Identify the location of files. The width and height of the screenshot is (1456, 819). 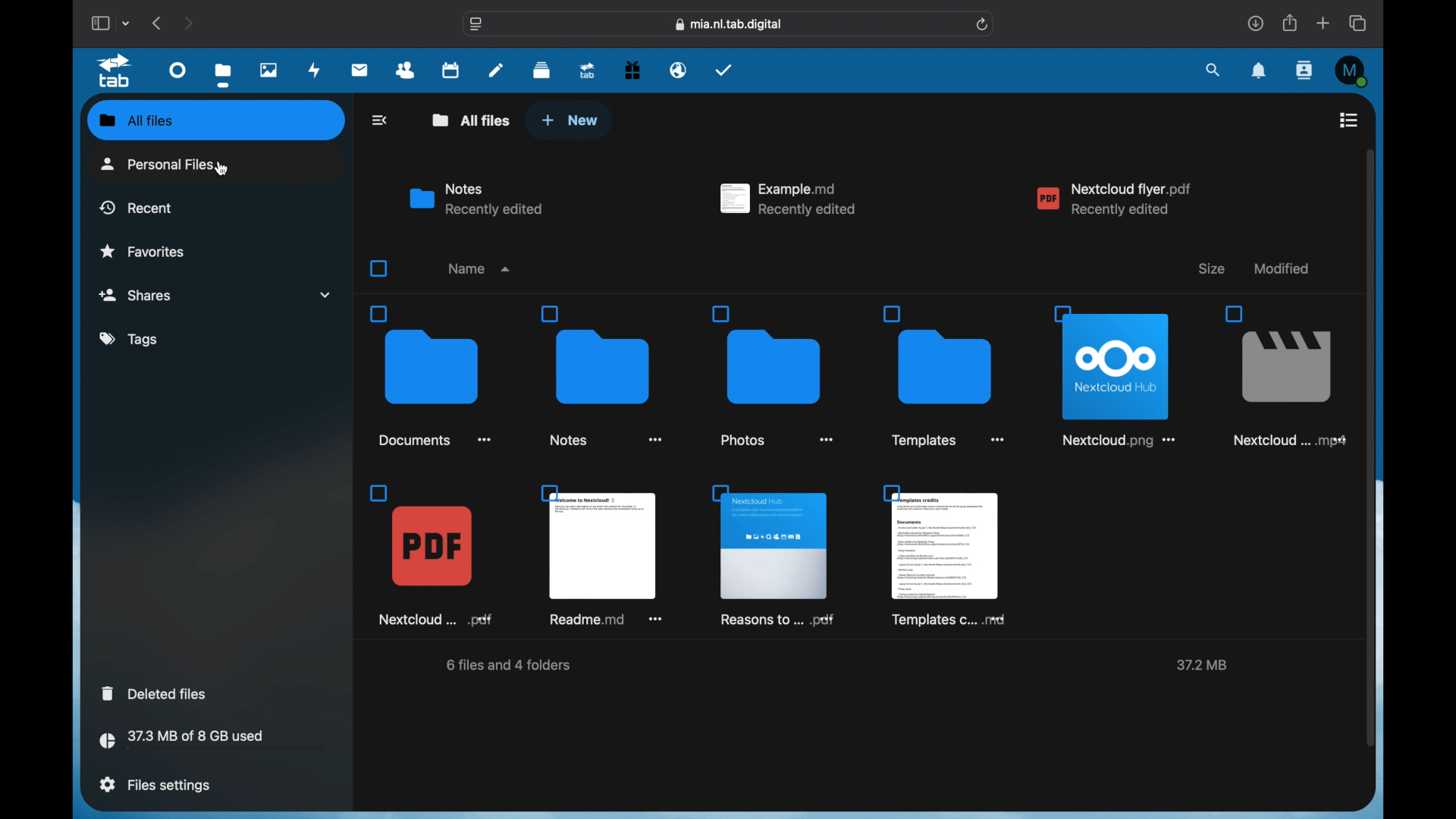
(223, 74).